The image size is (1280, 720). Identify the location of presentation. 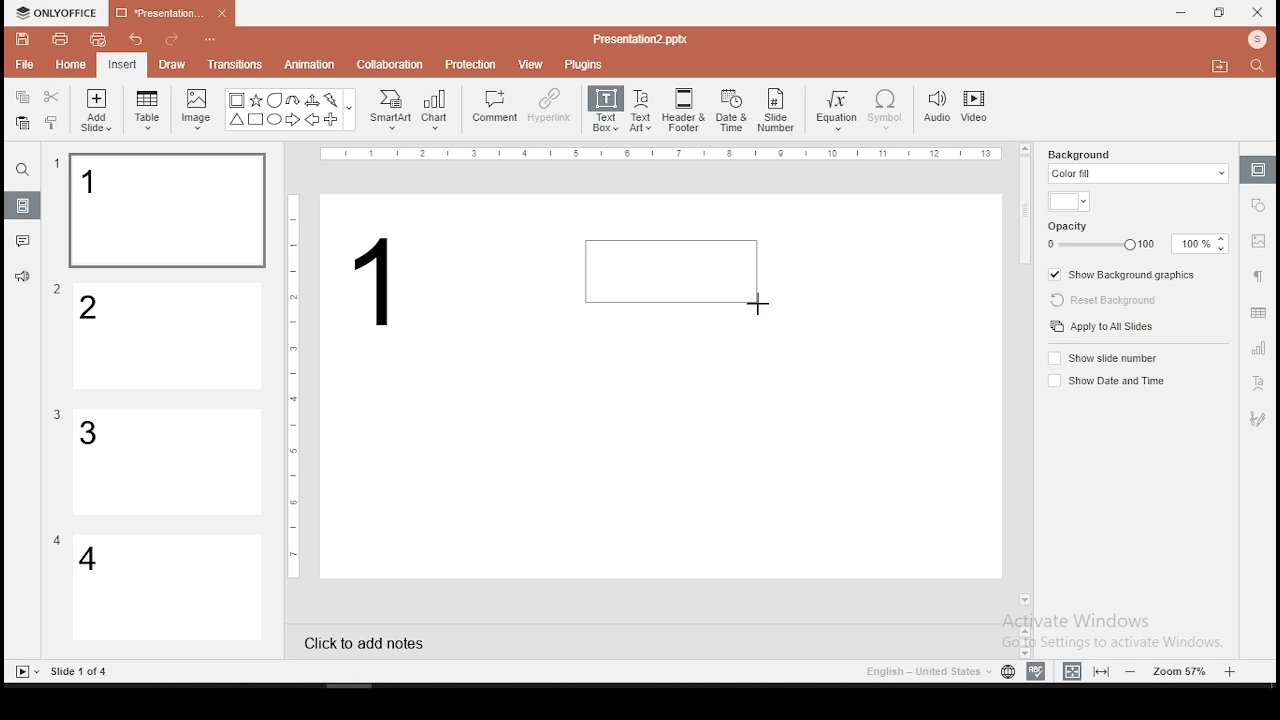
(169, 15).